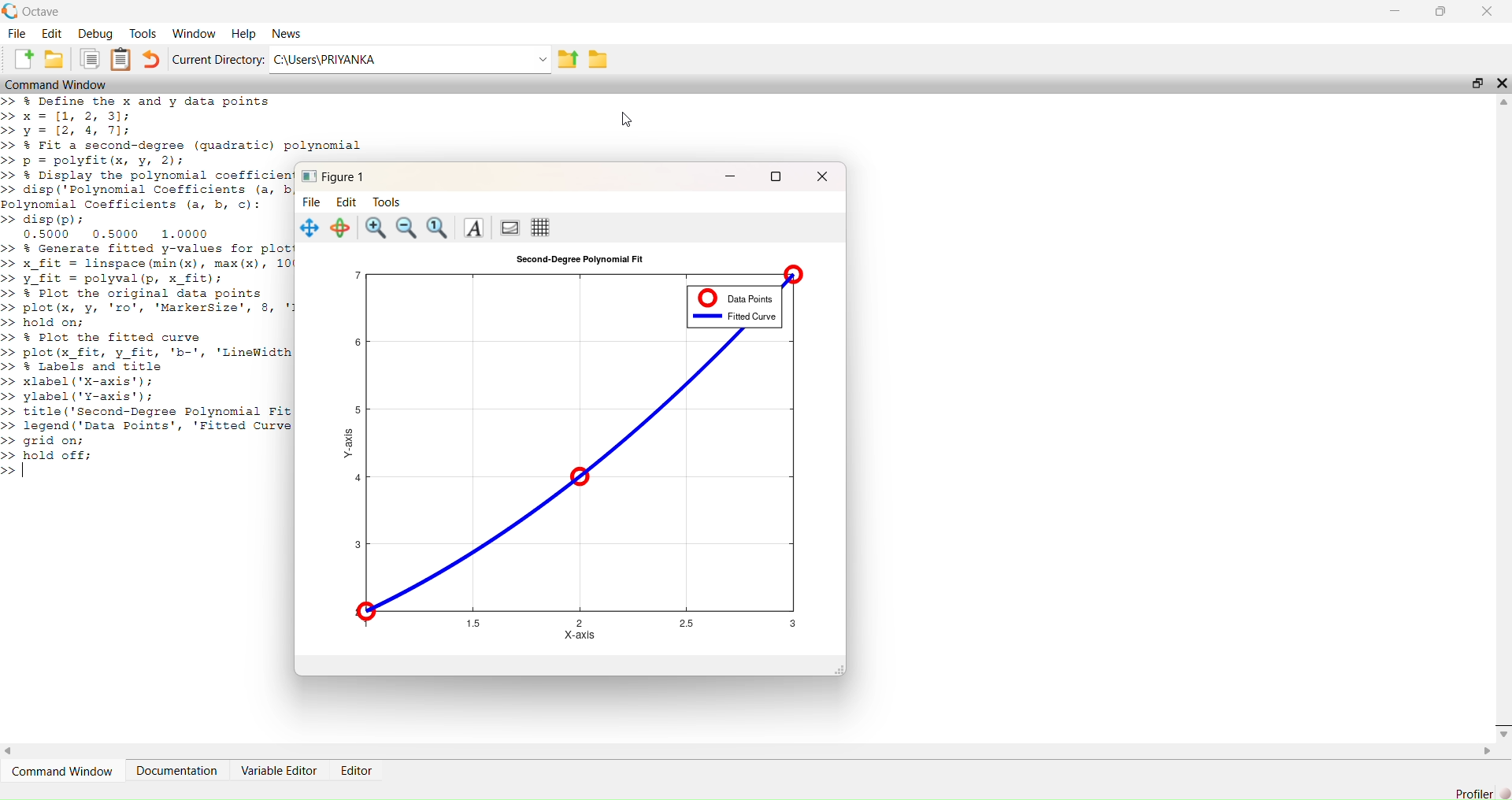 The height and width of the screenshot is (800, 1512). What do you see at coordinates (217, 59) in the screenshot?
I see `Current Directory:` at bounding box center [217, 59].